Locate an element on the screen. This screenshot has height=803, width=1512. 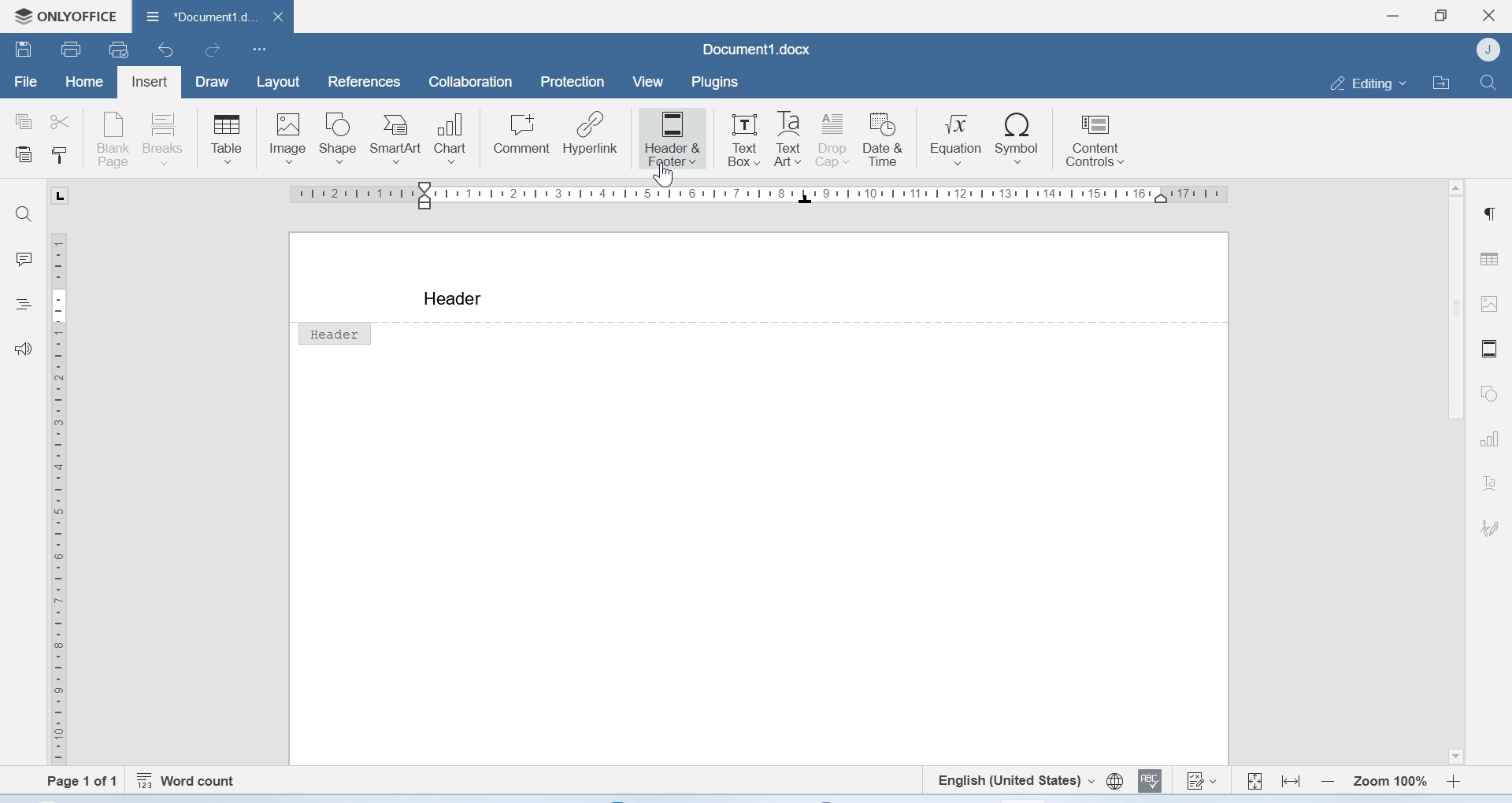
Close is located at coordinates (1489, 16).